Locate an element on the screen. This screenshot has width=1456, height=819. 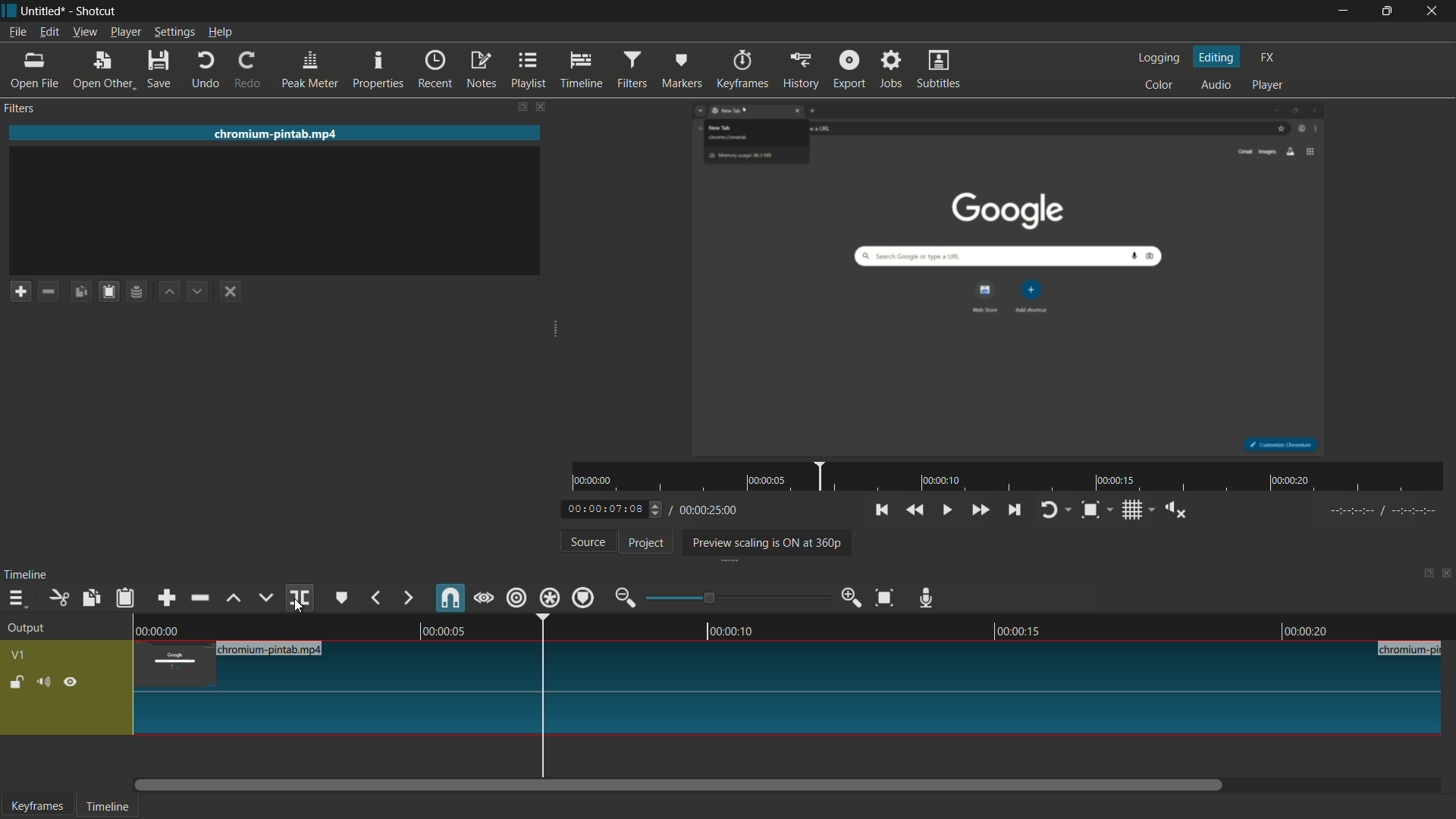
redo is located at coordinates (248, 69).